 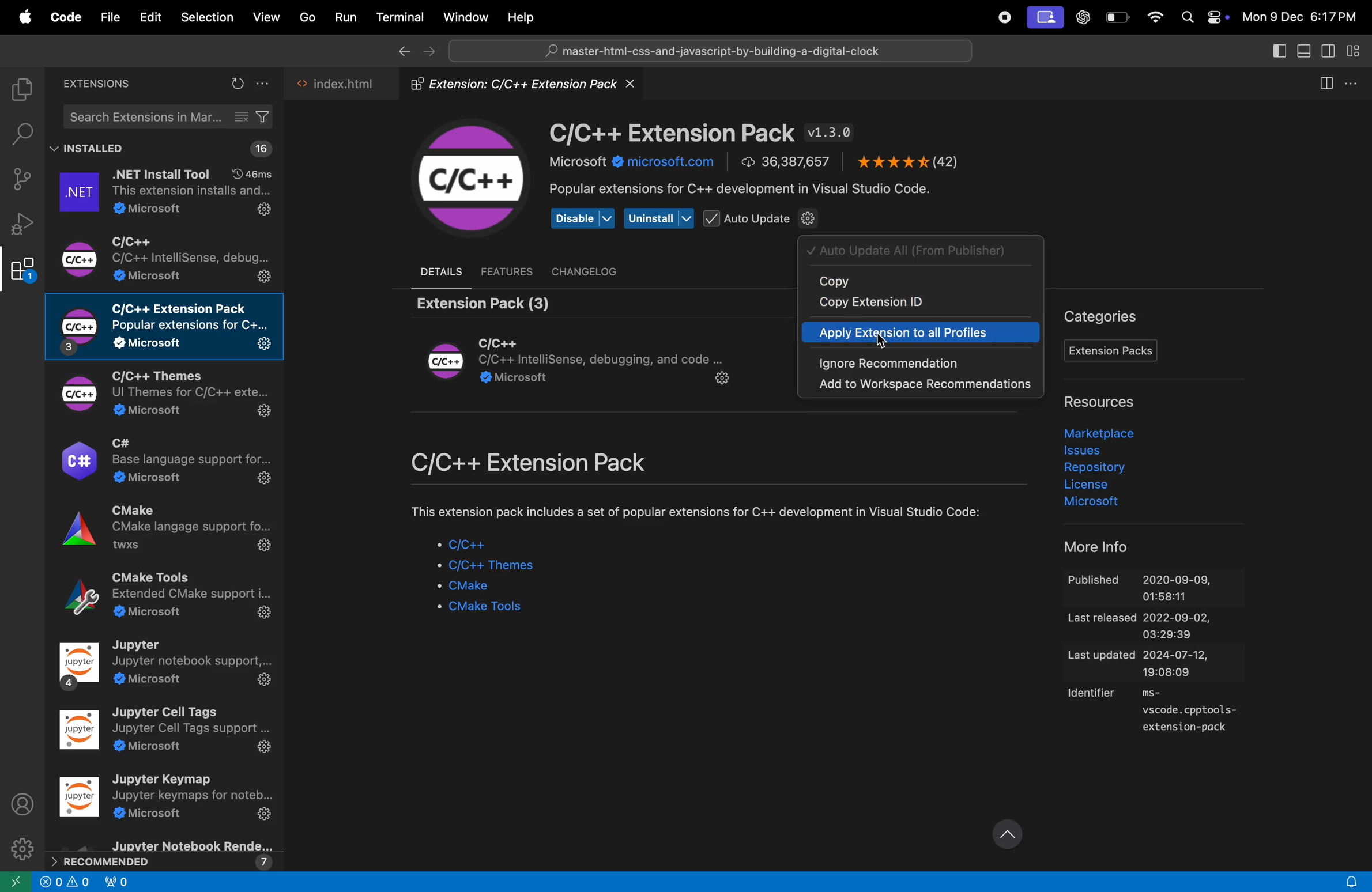 I want to click on Code, so click(x=66, y=17).